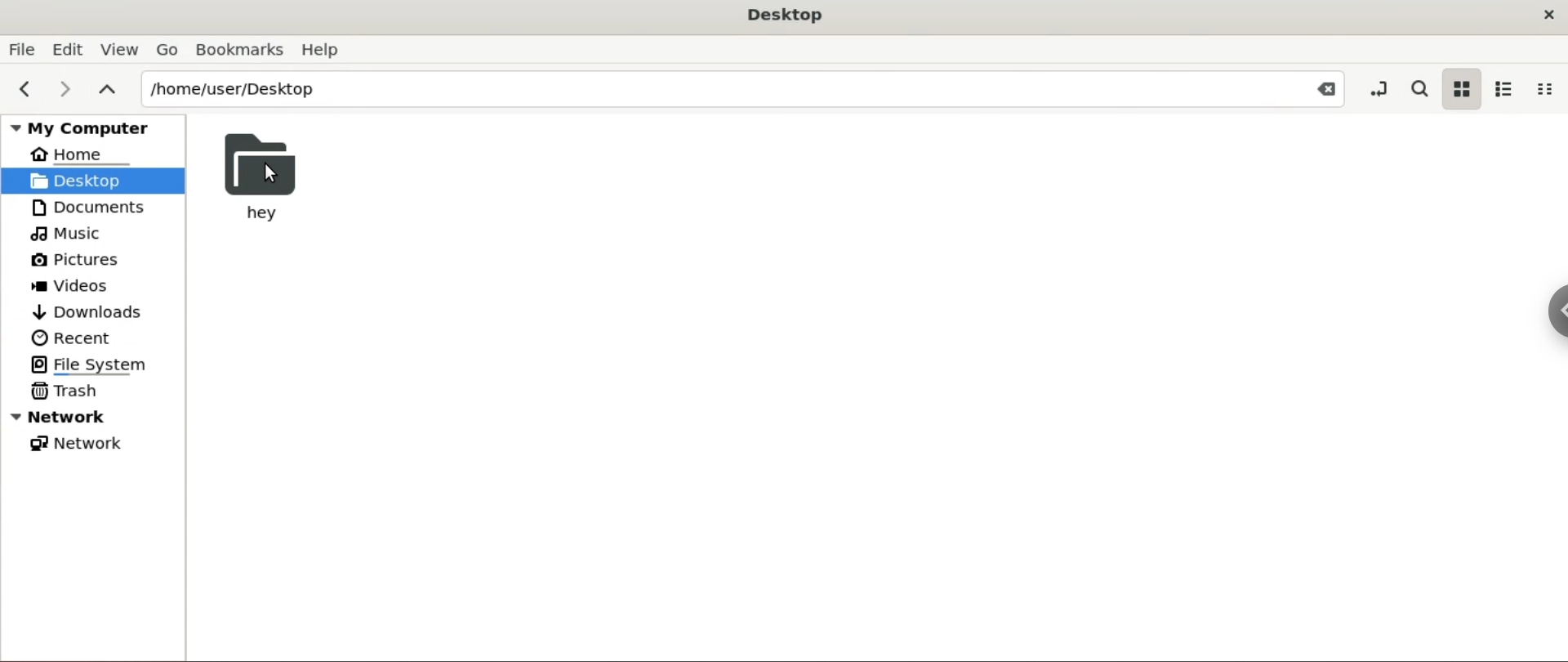 The width and height of the screenshot is (1568, 662). What do you see at coordinates (711, 88) in the screenshot?
I see `/home/user/Desktop` at bounding box center [711, 88].